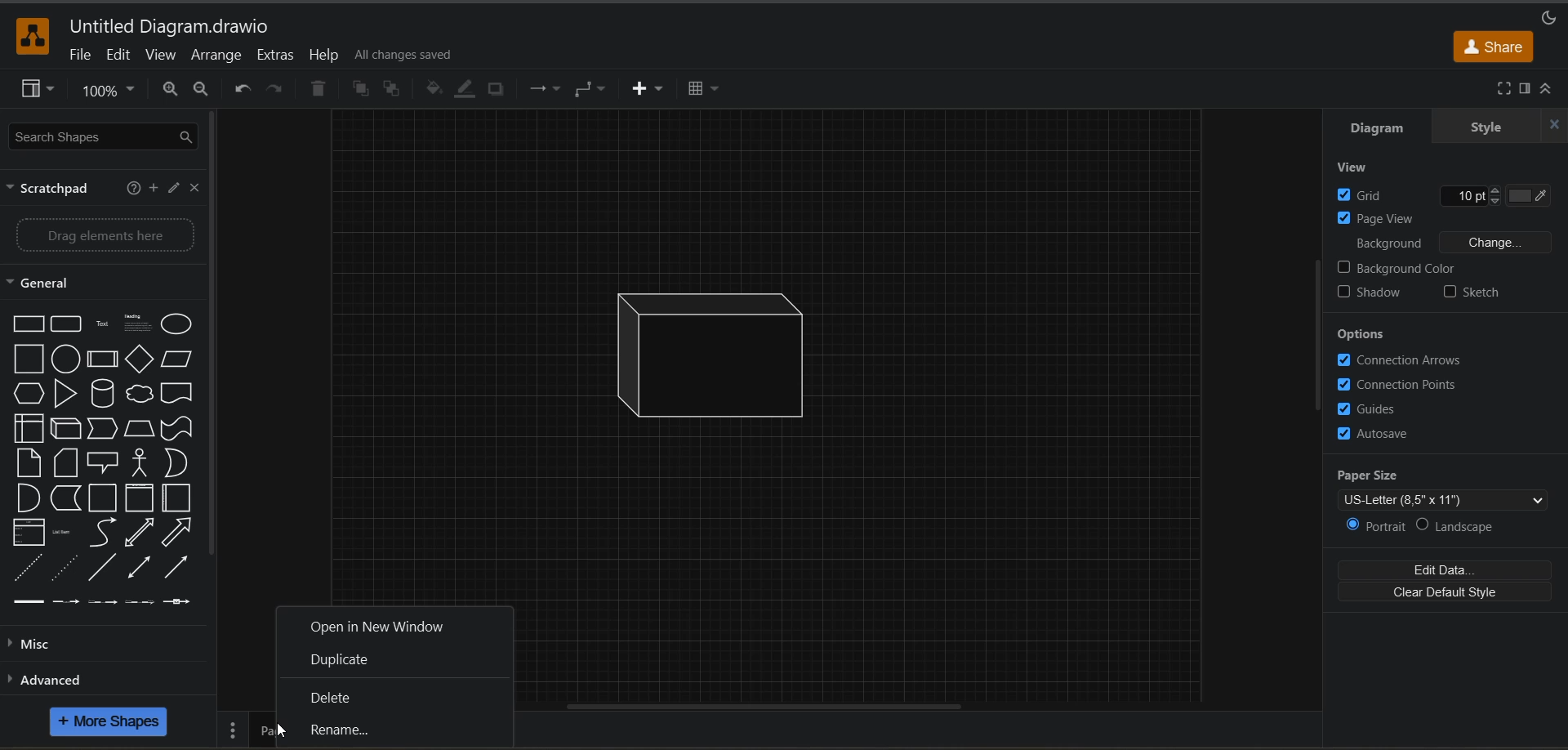  What do you see at coordinates (1375, 291) in the screenshot?
I see `shadow` at bounding box center [1375, 291].